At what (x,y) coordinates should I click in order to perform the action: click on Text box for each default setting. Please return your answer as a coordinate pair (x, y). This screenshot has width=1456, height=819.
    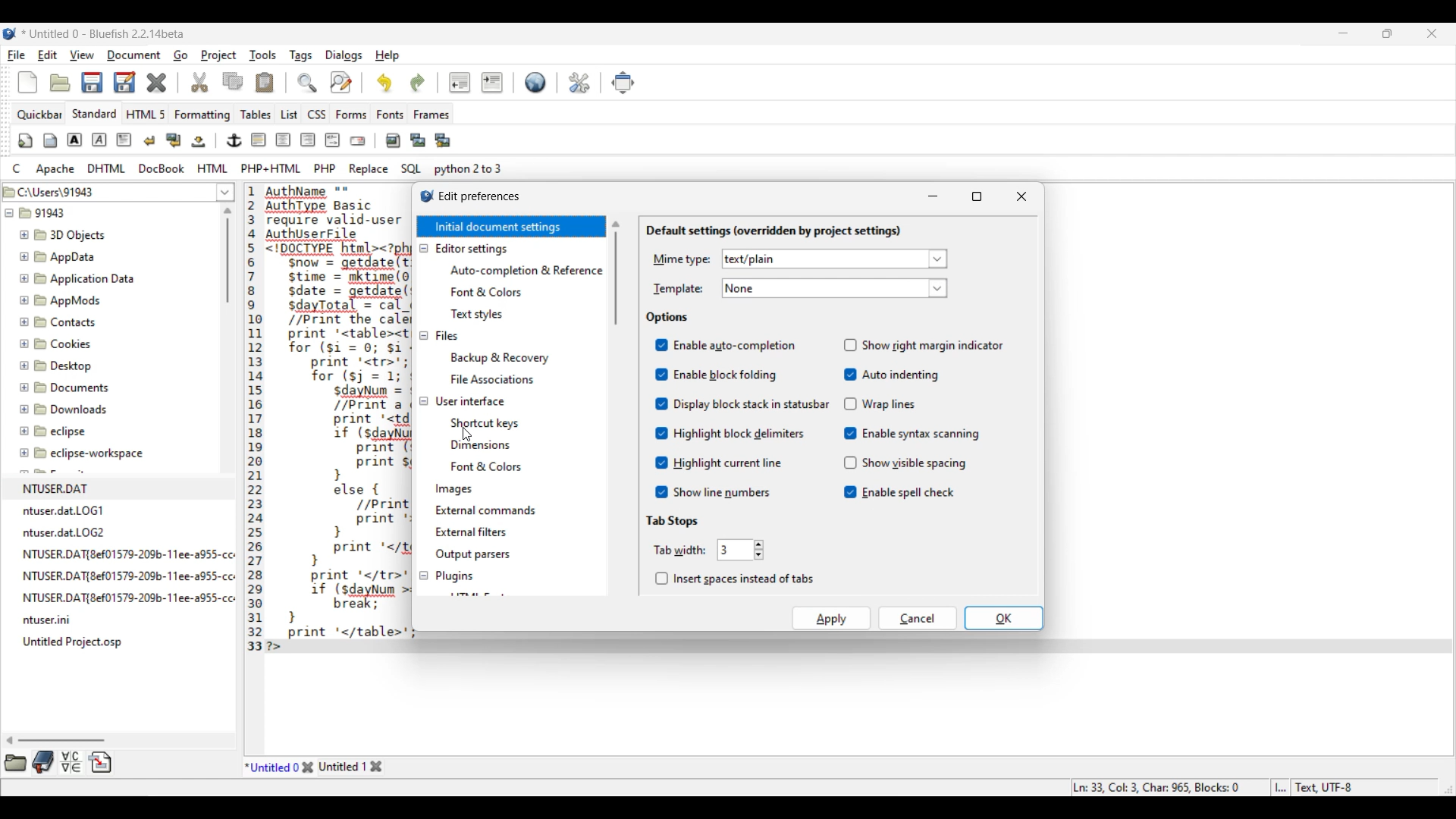
    Looking at the image, I should click on (824, 274).